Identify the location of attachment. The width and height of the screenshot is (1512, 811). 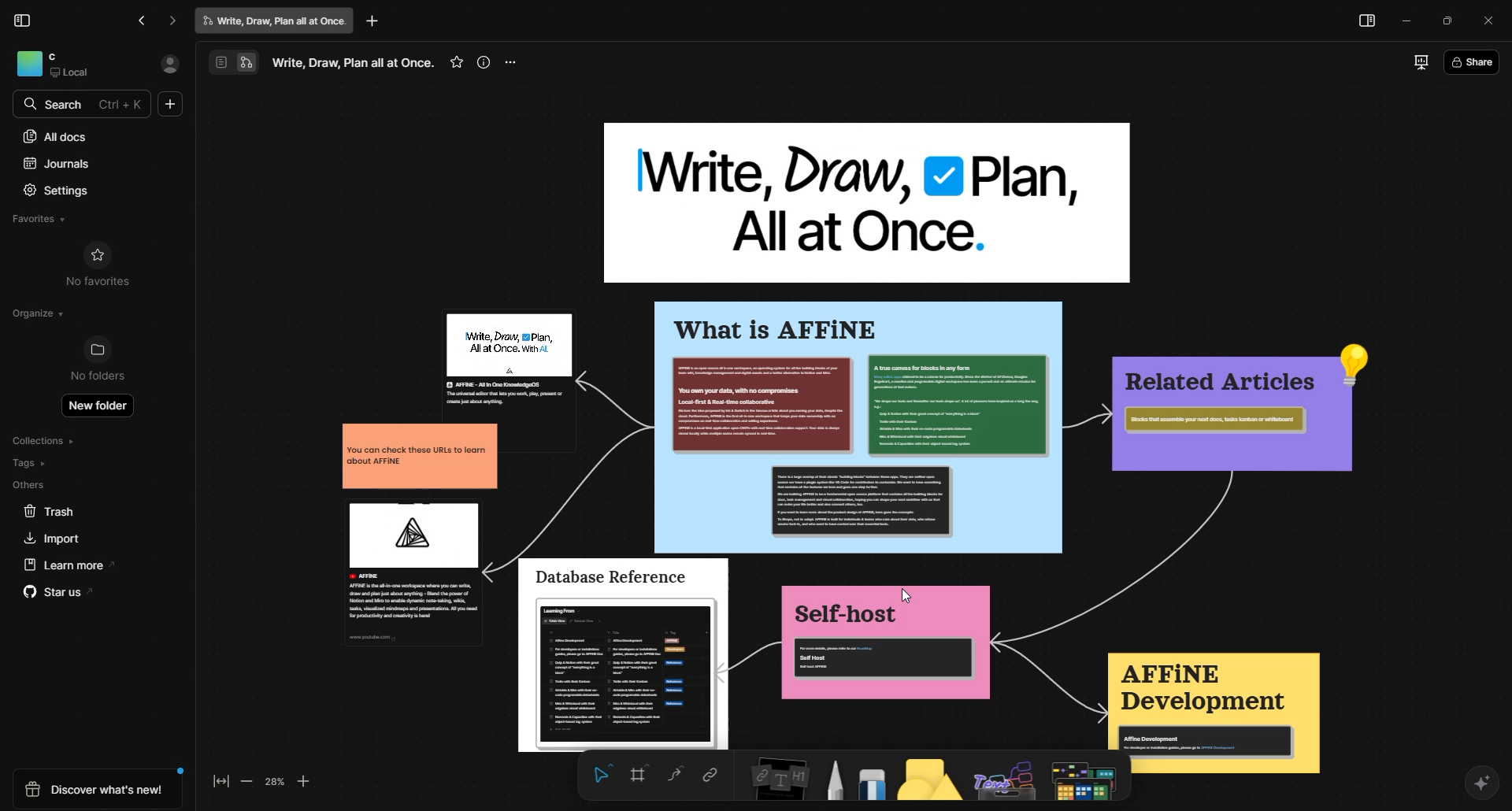
(771, 779).